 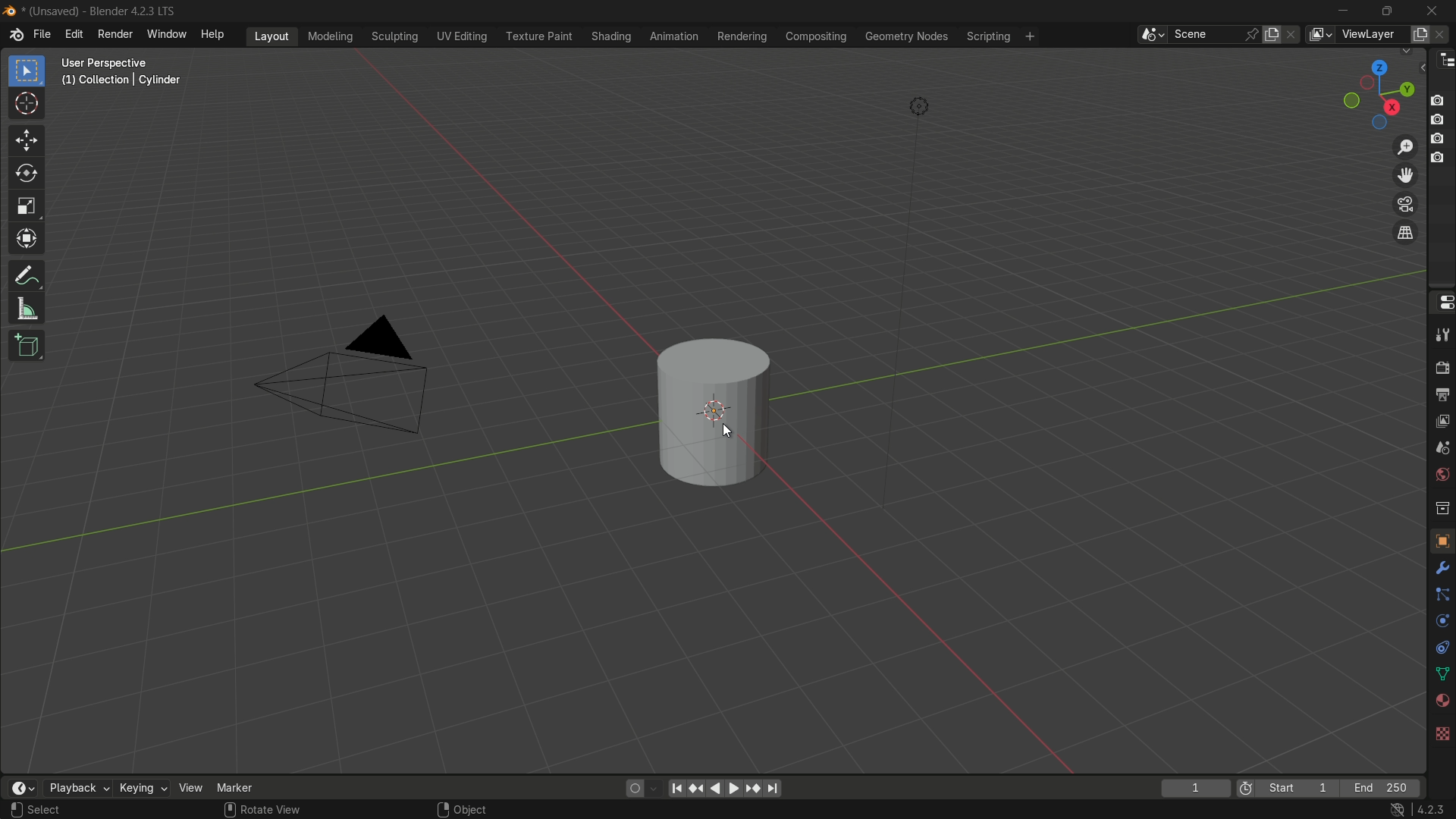 I want to click on Rotate view, so click(x=276, y=810).